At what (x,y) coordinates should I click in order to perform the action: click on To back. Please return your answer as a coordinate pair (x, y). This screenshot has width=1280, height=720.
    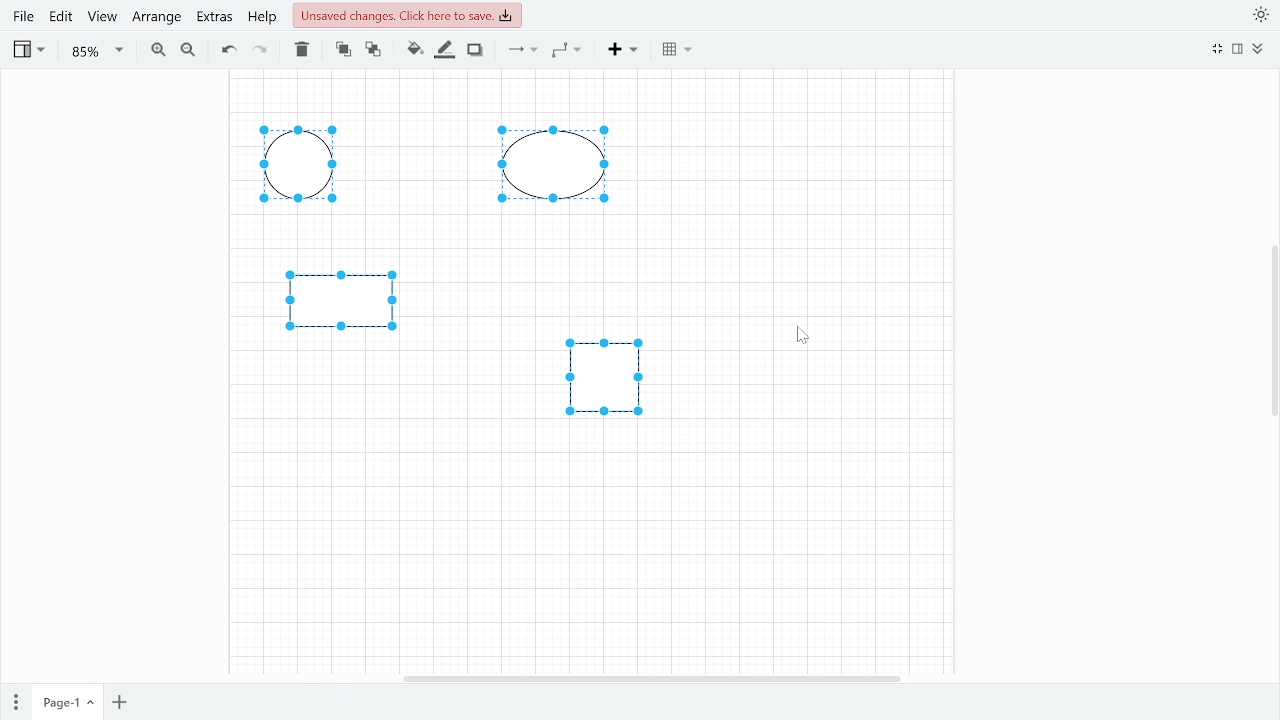
    Looking at the image, I should click on (372, 49).